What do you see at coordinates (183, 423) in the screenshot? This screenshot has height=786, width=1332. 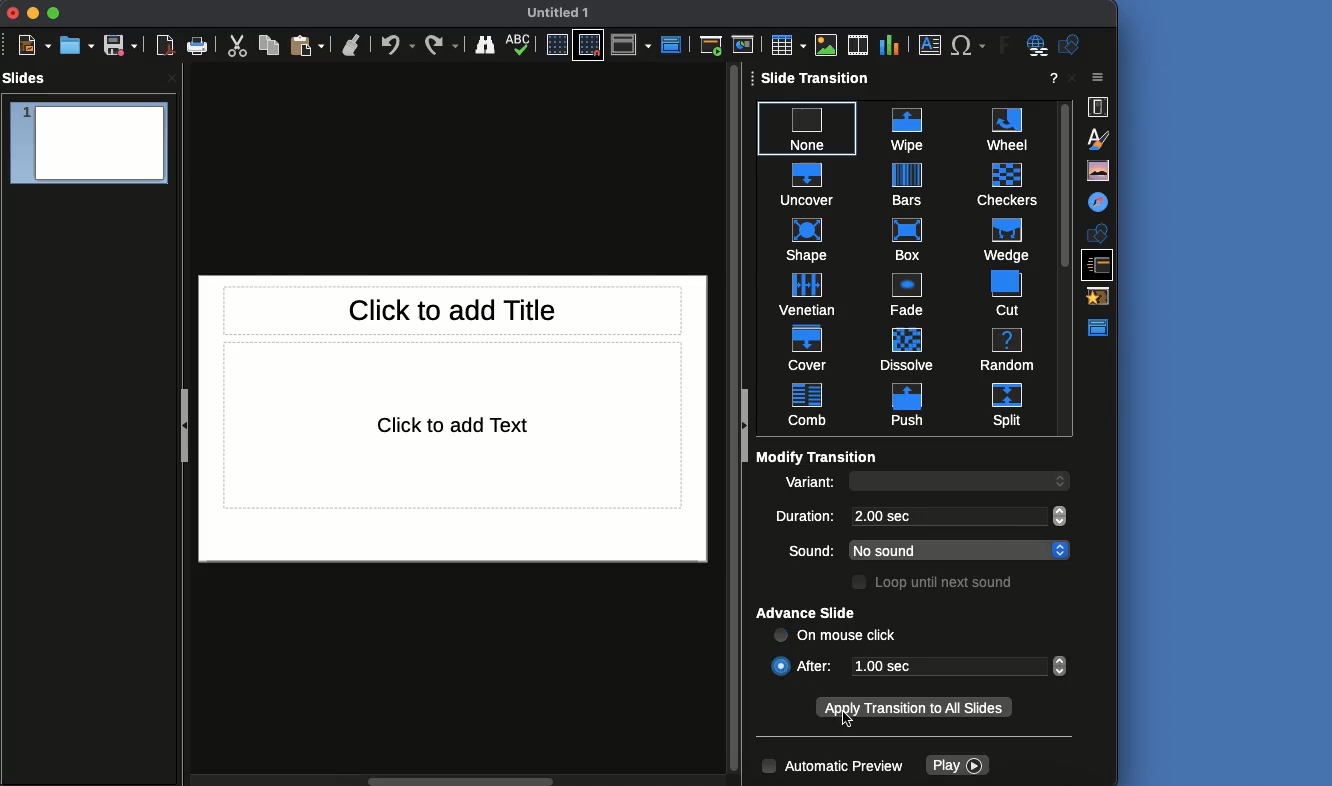 I see `Collapse` at bounding box center [183, 423].